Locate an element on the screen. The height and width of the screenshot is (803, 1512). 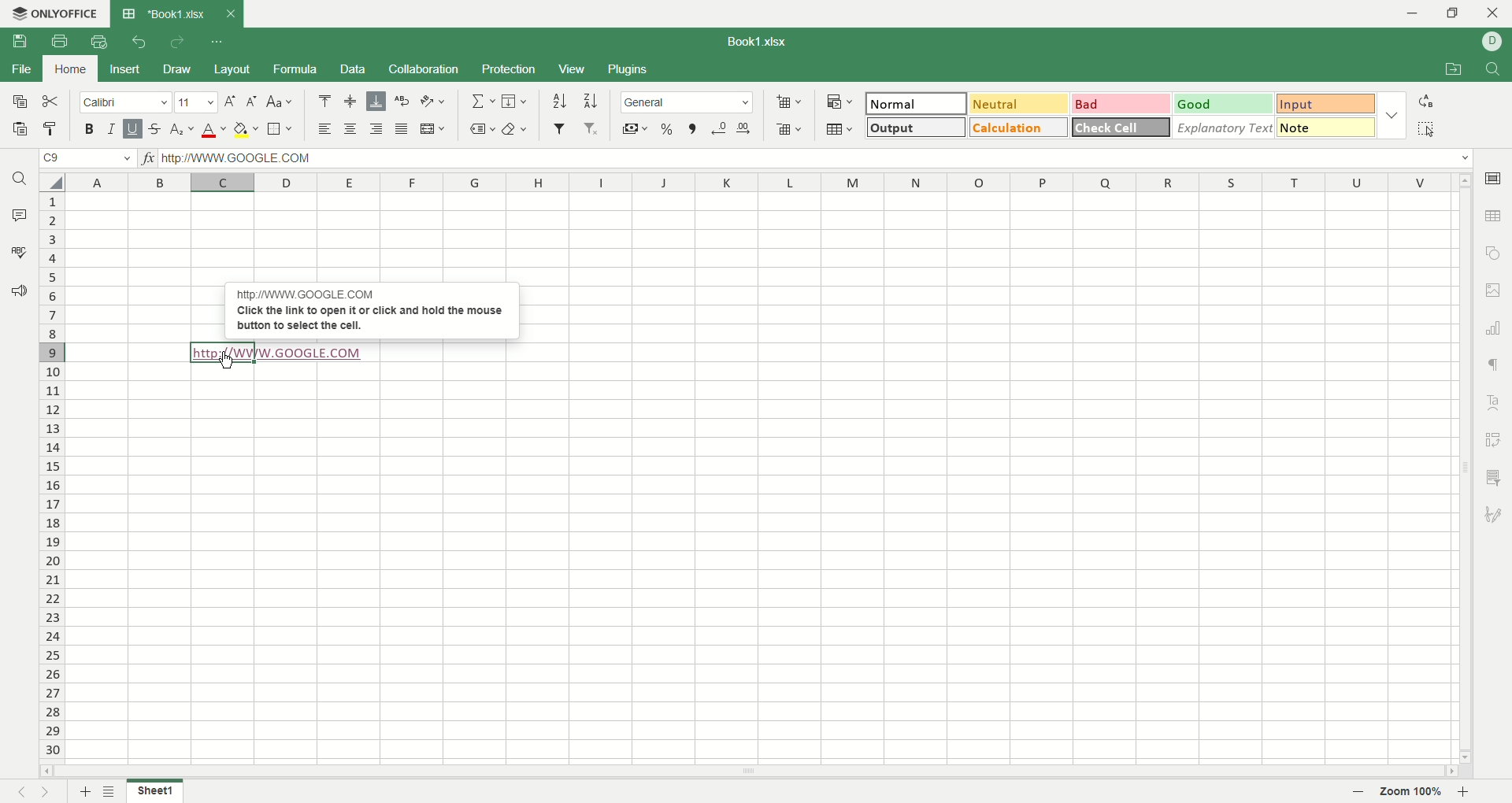
close is located at coordinates (230, 13).